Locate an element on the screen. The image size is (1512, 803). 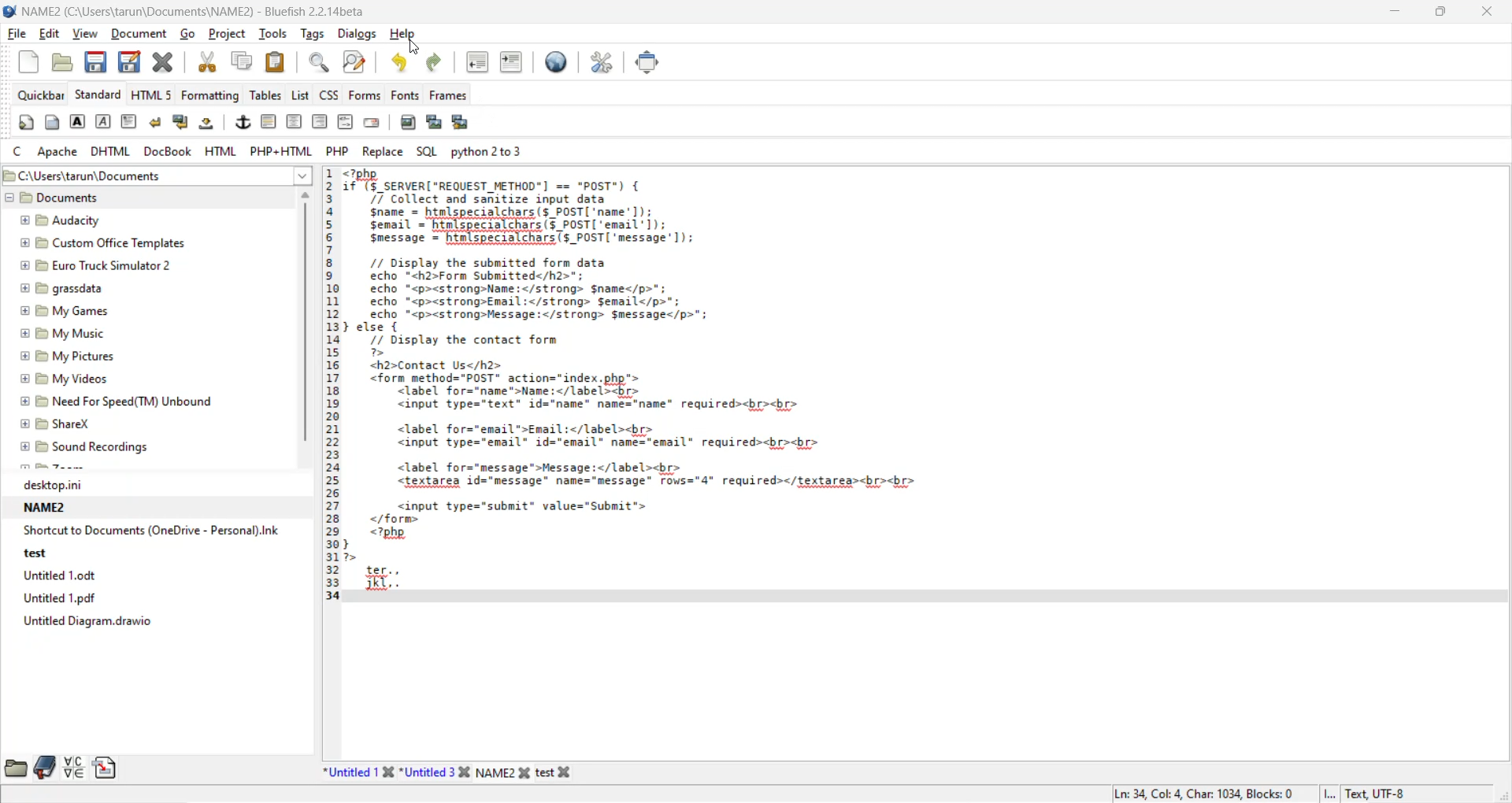
maximize is located at coordinates (1441, 13).